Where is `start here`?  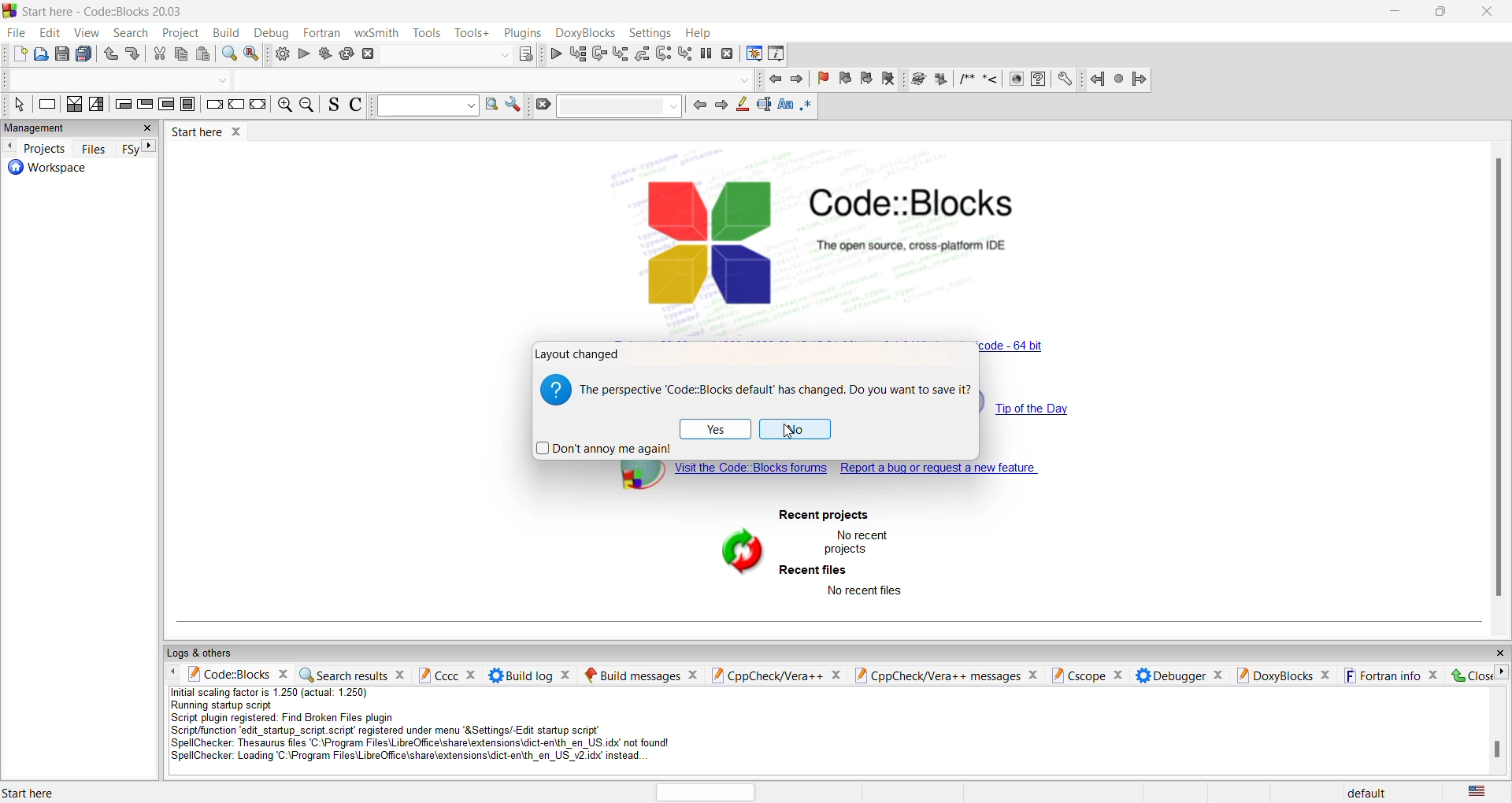 start here is located at coordinates (31, 792).